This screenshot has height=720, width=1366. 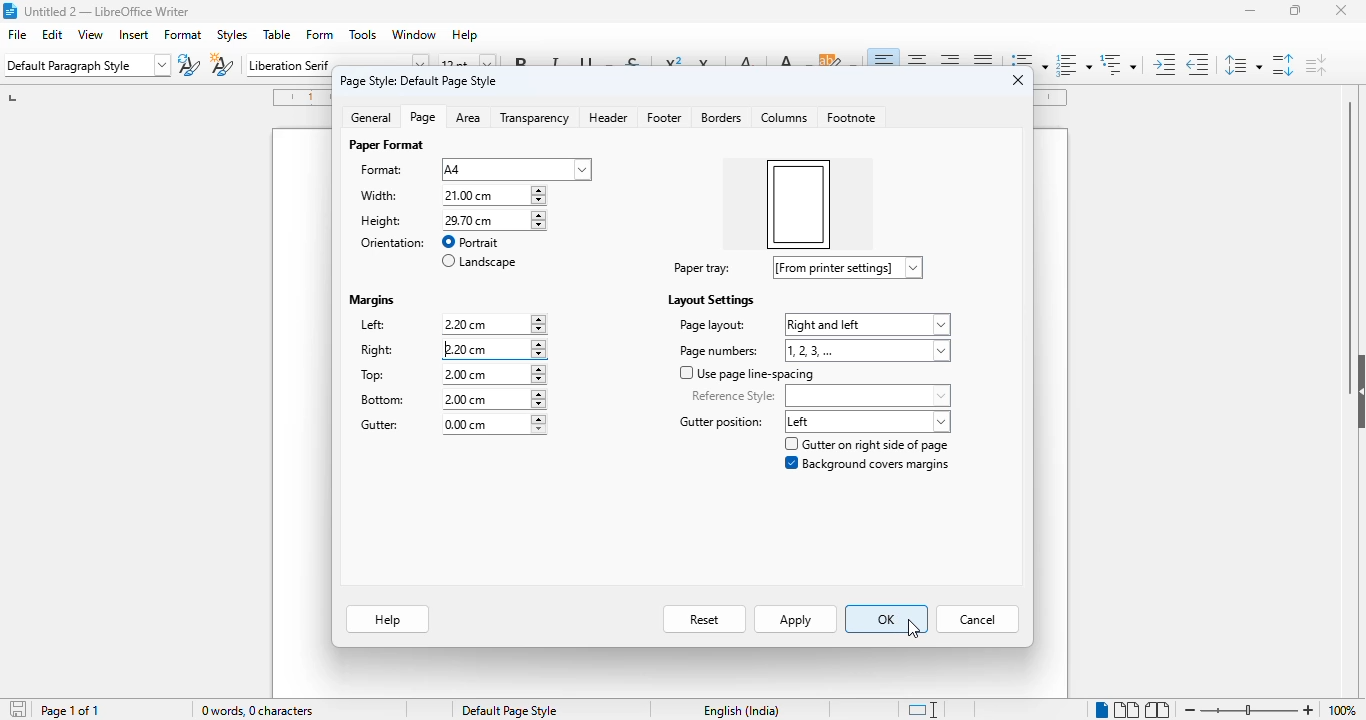 What do you see at coordinates (783, 117) in the screenshot?
I see `columns` at bounding box center [783, 117].